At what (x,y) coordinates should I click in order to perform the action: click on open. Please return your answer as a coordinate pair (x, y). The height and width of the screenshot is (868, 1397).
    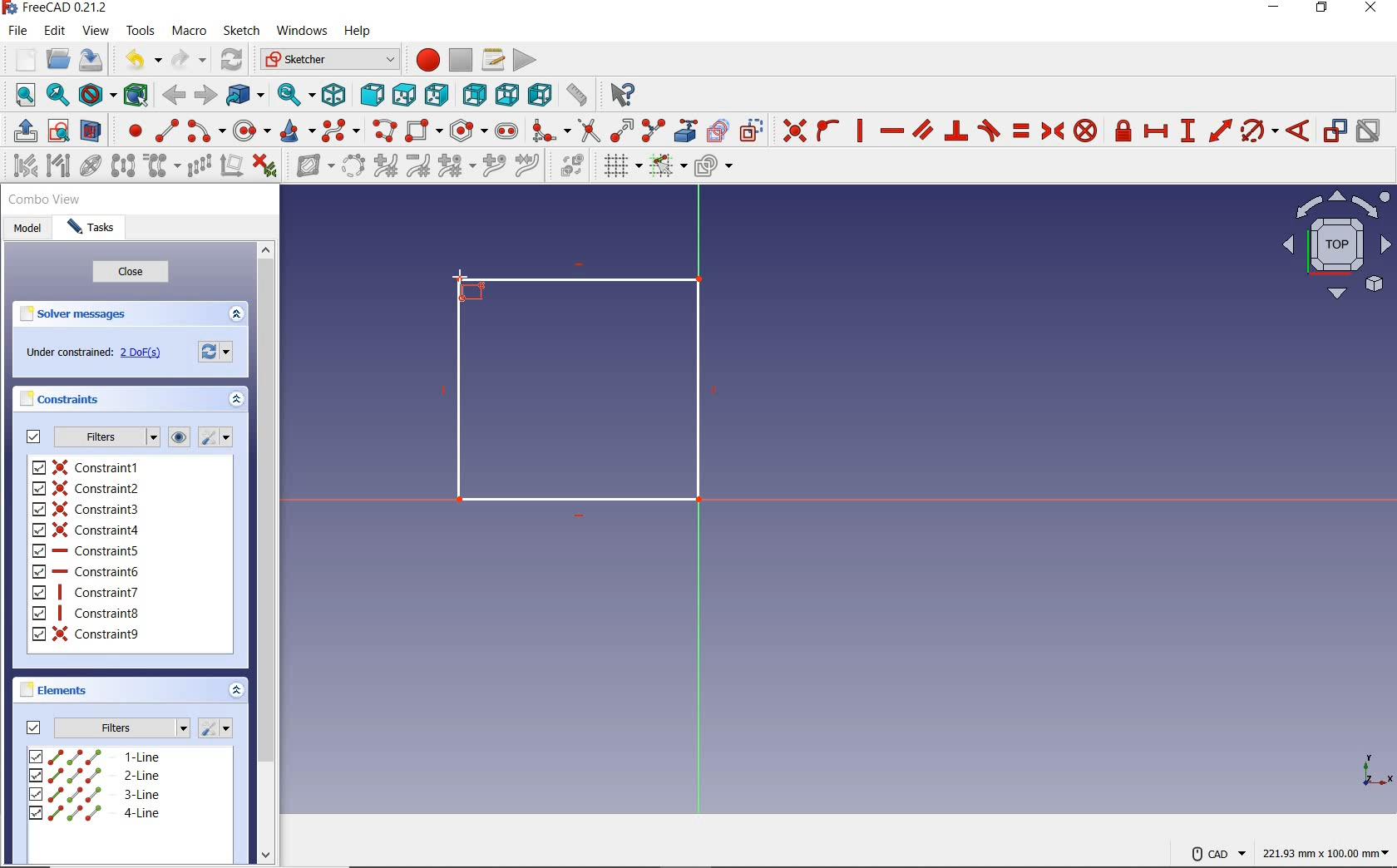
    Looking at the image, I should click on (60, 57).